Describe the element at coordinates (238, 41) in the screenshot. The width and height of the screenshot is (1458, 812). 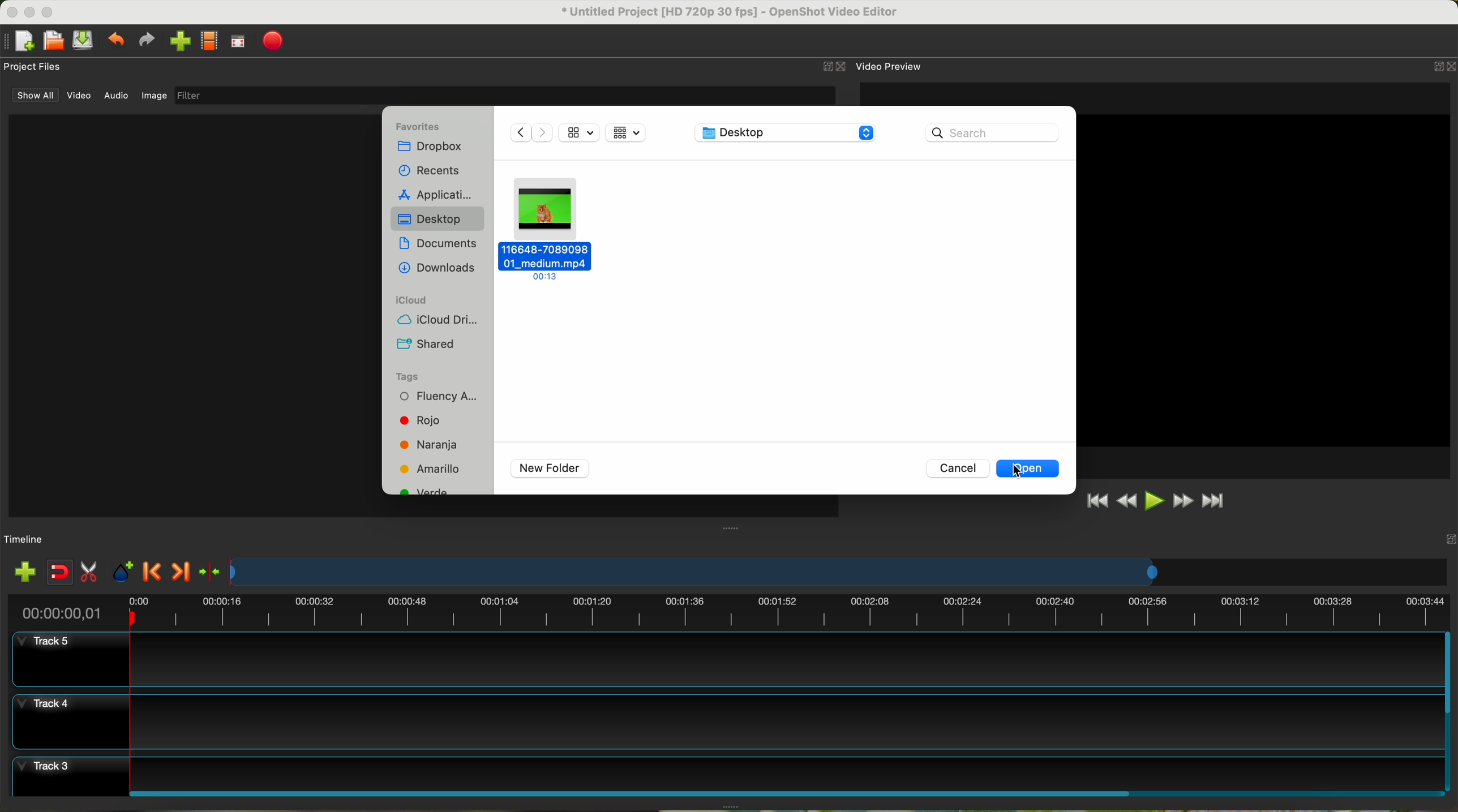
I see `full screen` at that location.